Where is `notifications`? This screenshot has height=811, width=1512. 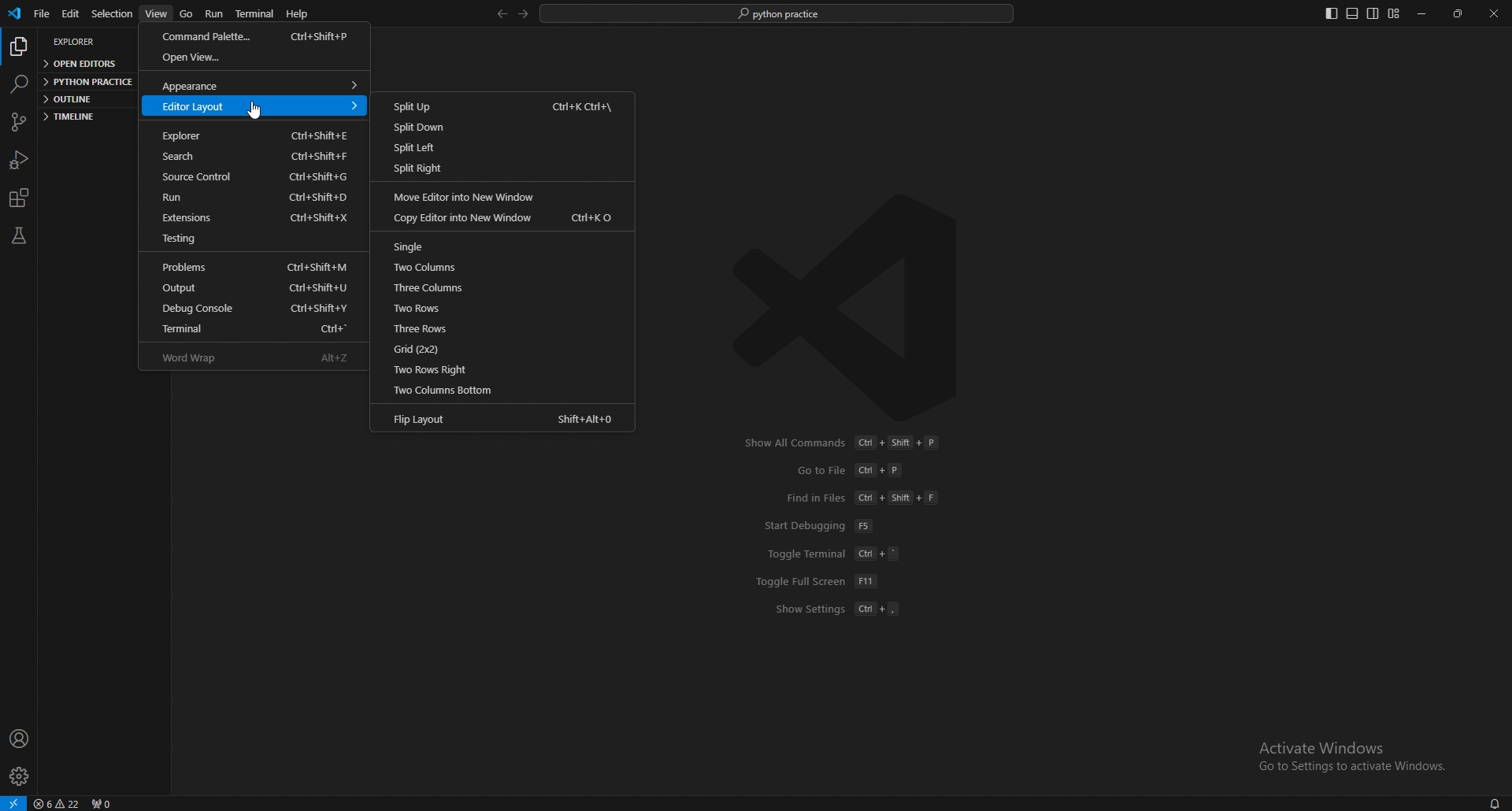 notifications is located at coordinates (1492, 803).